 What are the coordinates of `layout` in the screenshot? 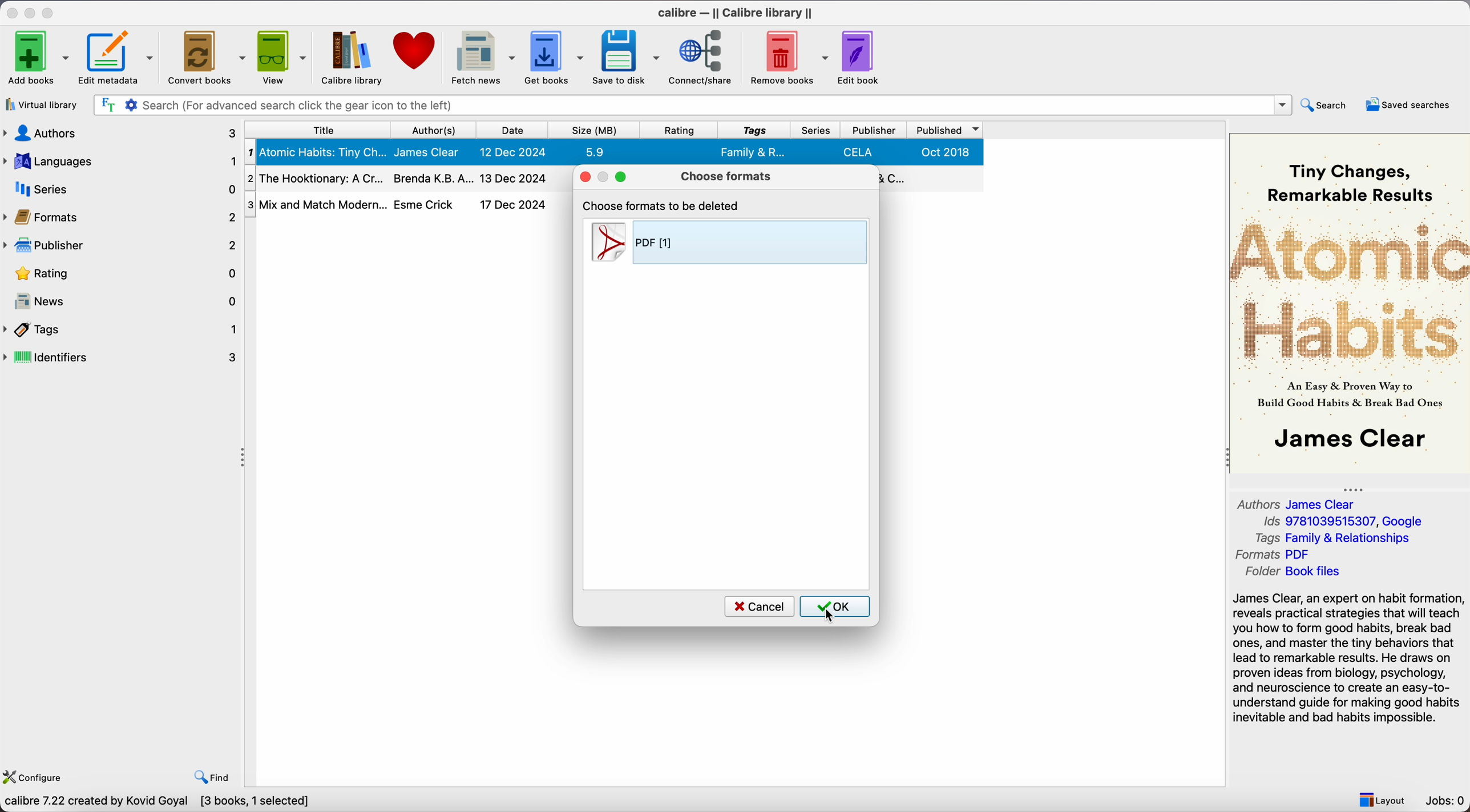 It's located at (1383, 799).